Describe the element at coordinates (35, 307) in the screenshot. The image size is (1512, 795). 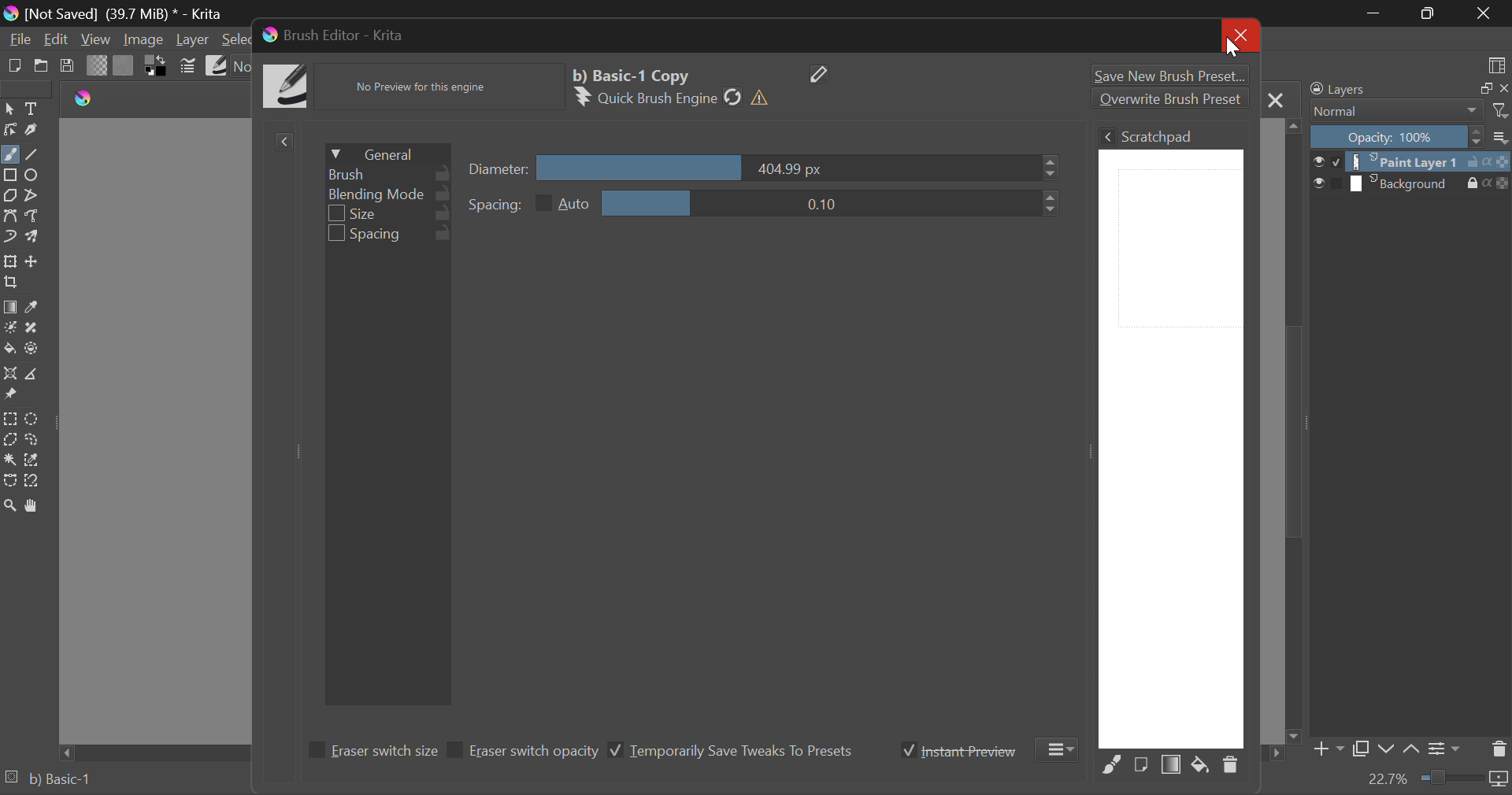
I see `Eyedropper` at that location.